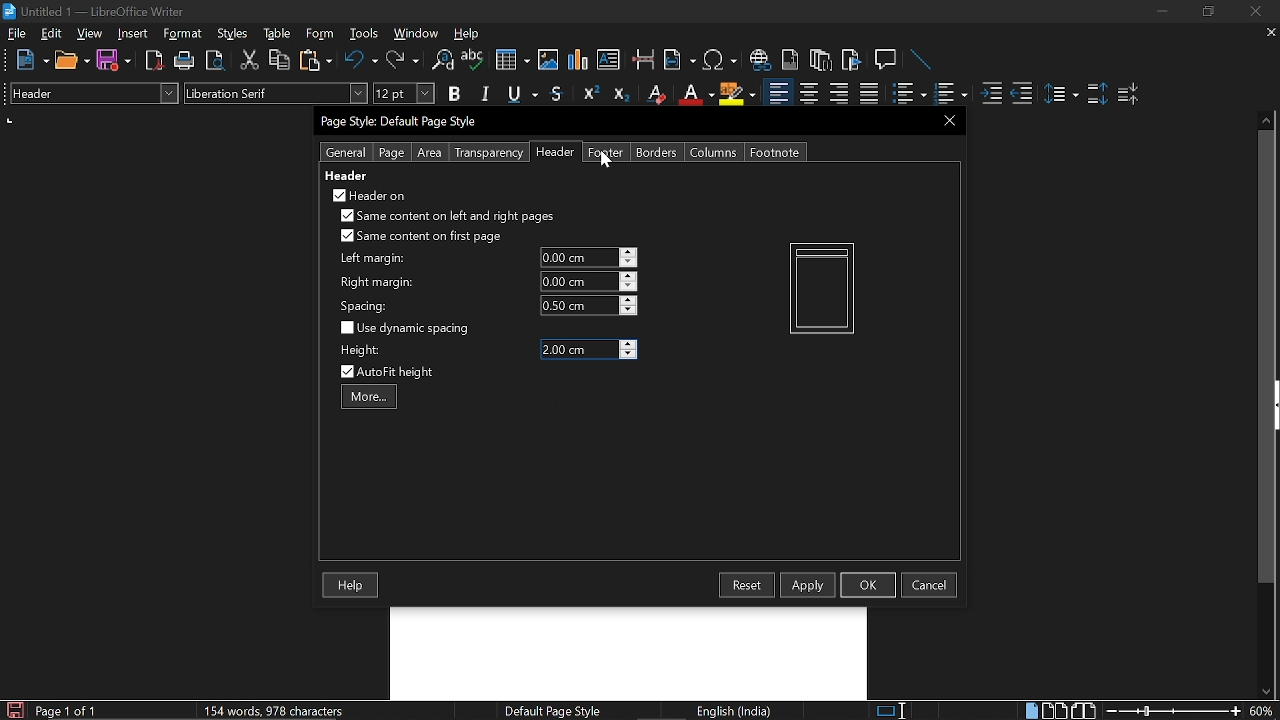 The height and width of the screenshot is (720, 1280). I want to click on line margin Line margin, so click(577, 258).